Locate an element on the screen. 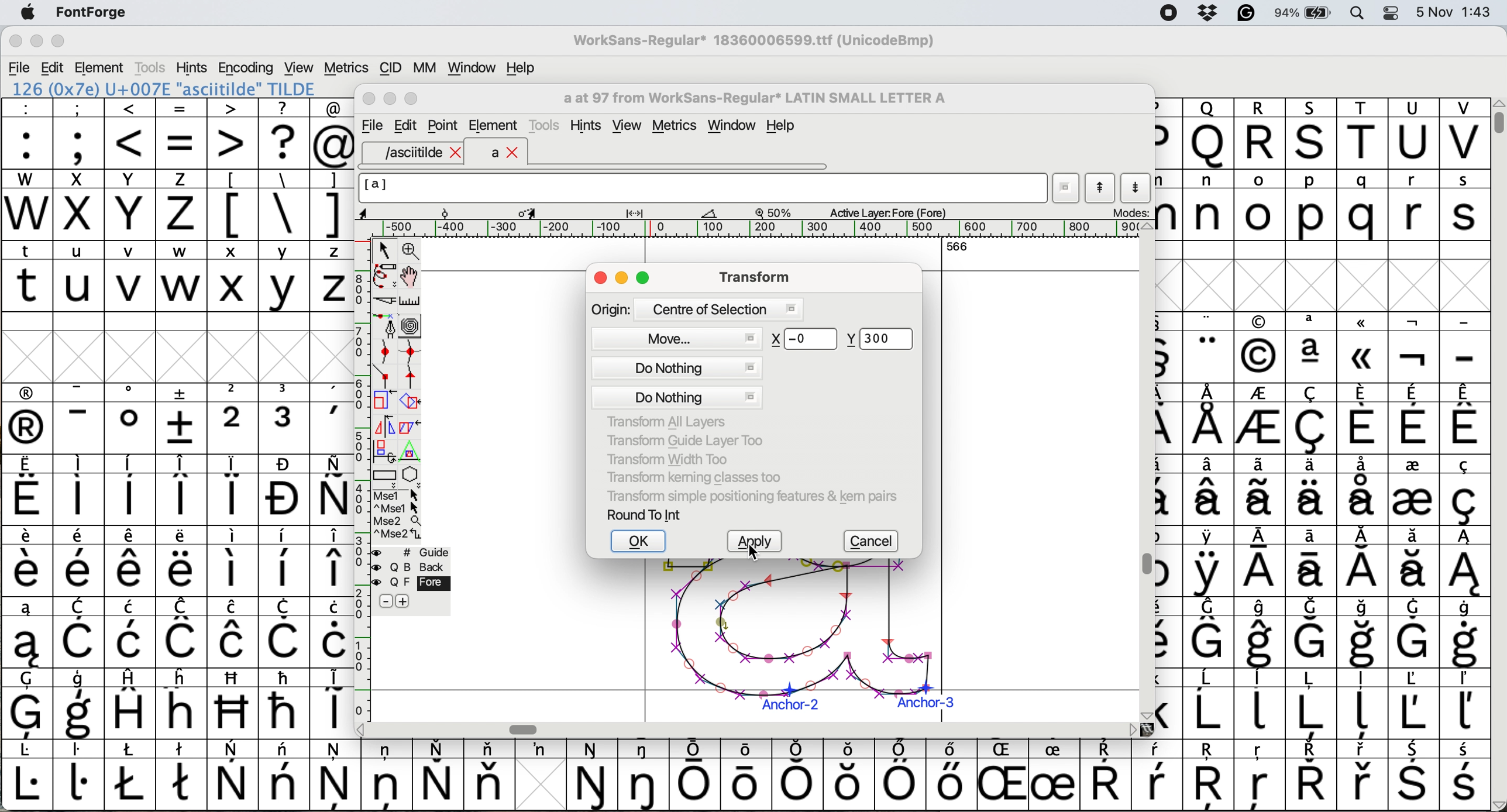 The image size is (1507, 812). scroll button is located at coordinates (1145, 714).